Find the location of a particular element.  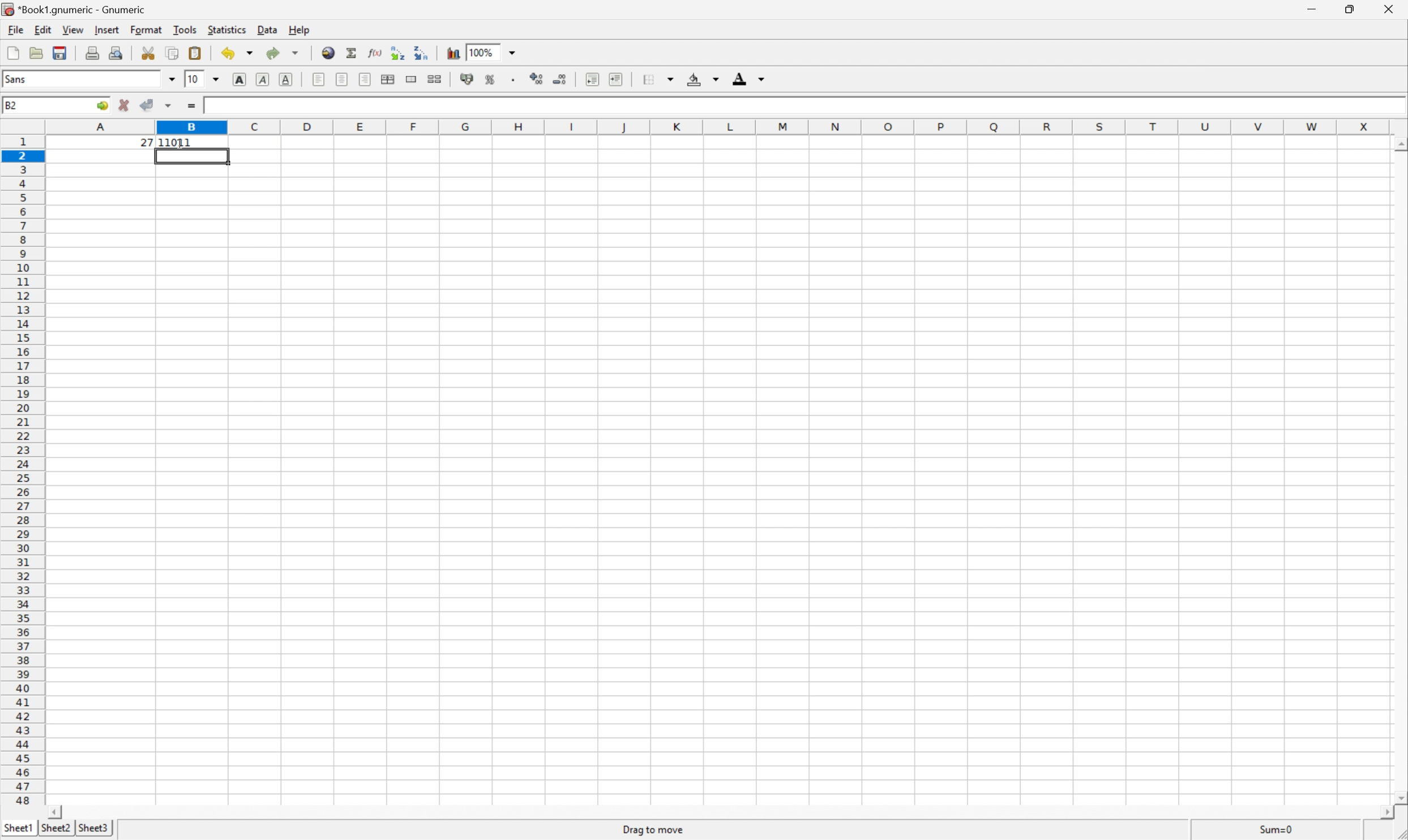

Format is located at coordinates (146, 29).